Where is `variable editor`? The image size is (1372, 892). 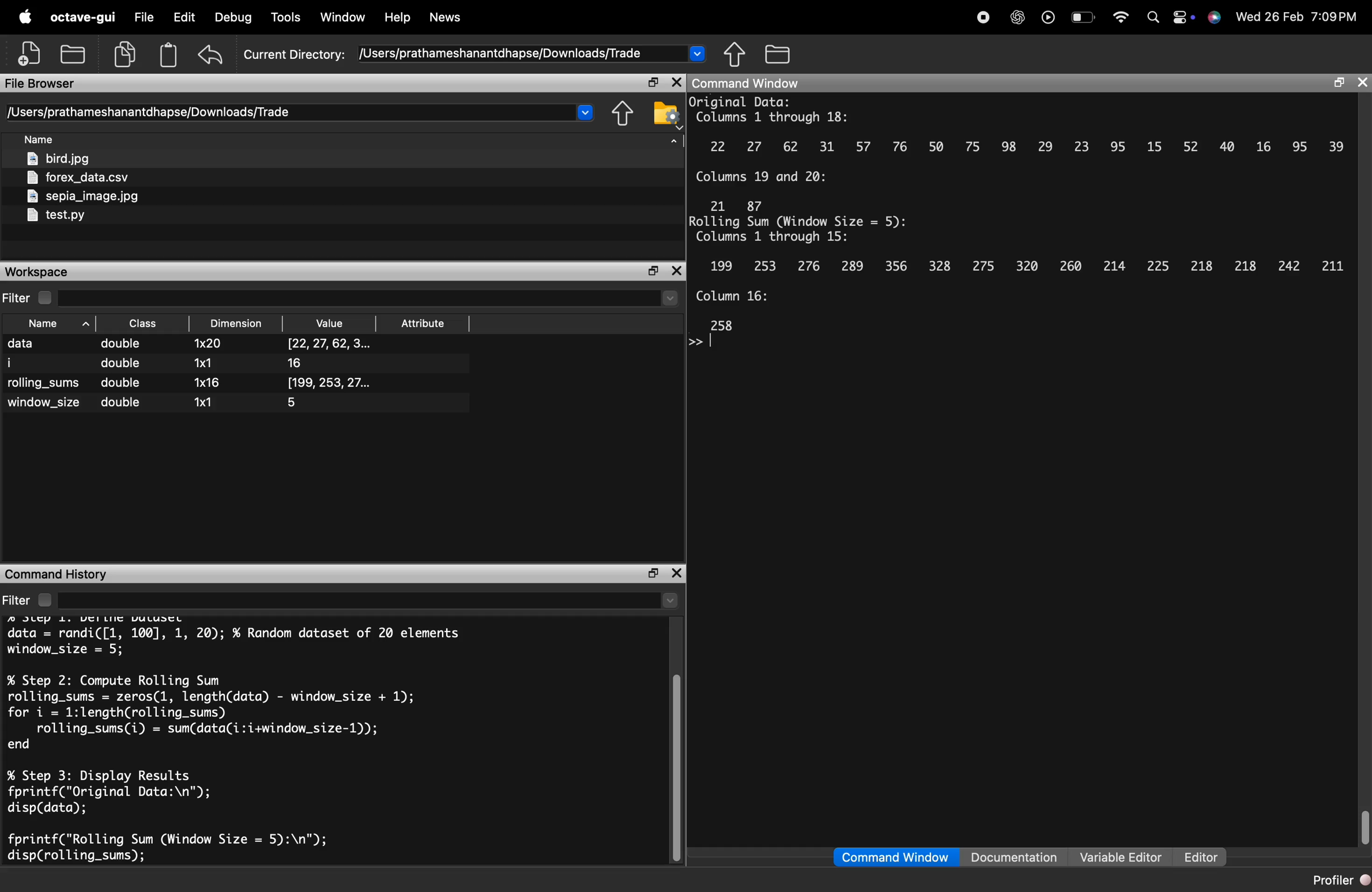
variable editor is located at coordinates (1121, 857).